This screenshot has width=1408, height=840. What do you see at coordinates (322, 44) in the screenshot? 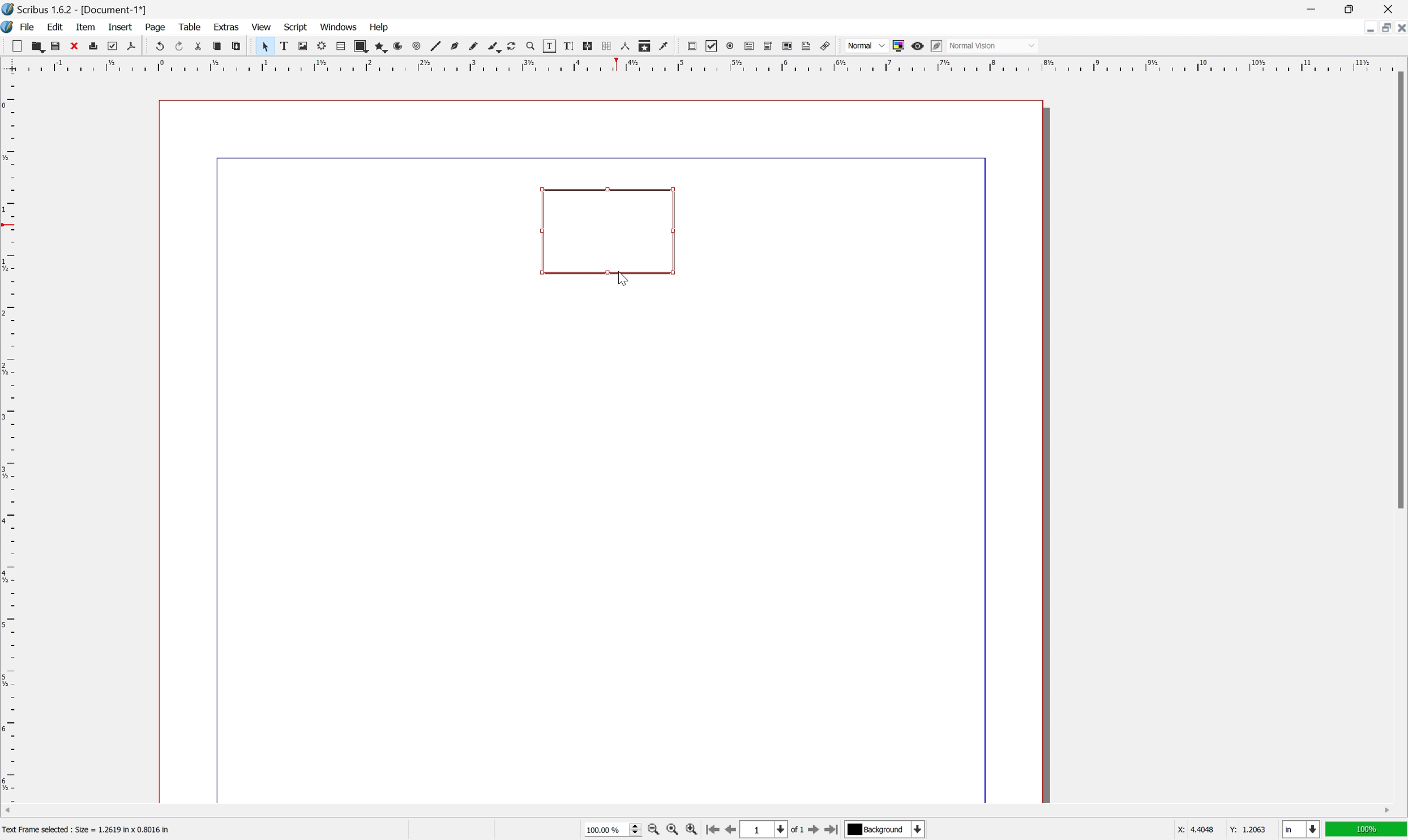
I see `render frame` at bounding box center [322, 44].